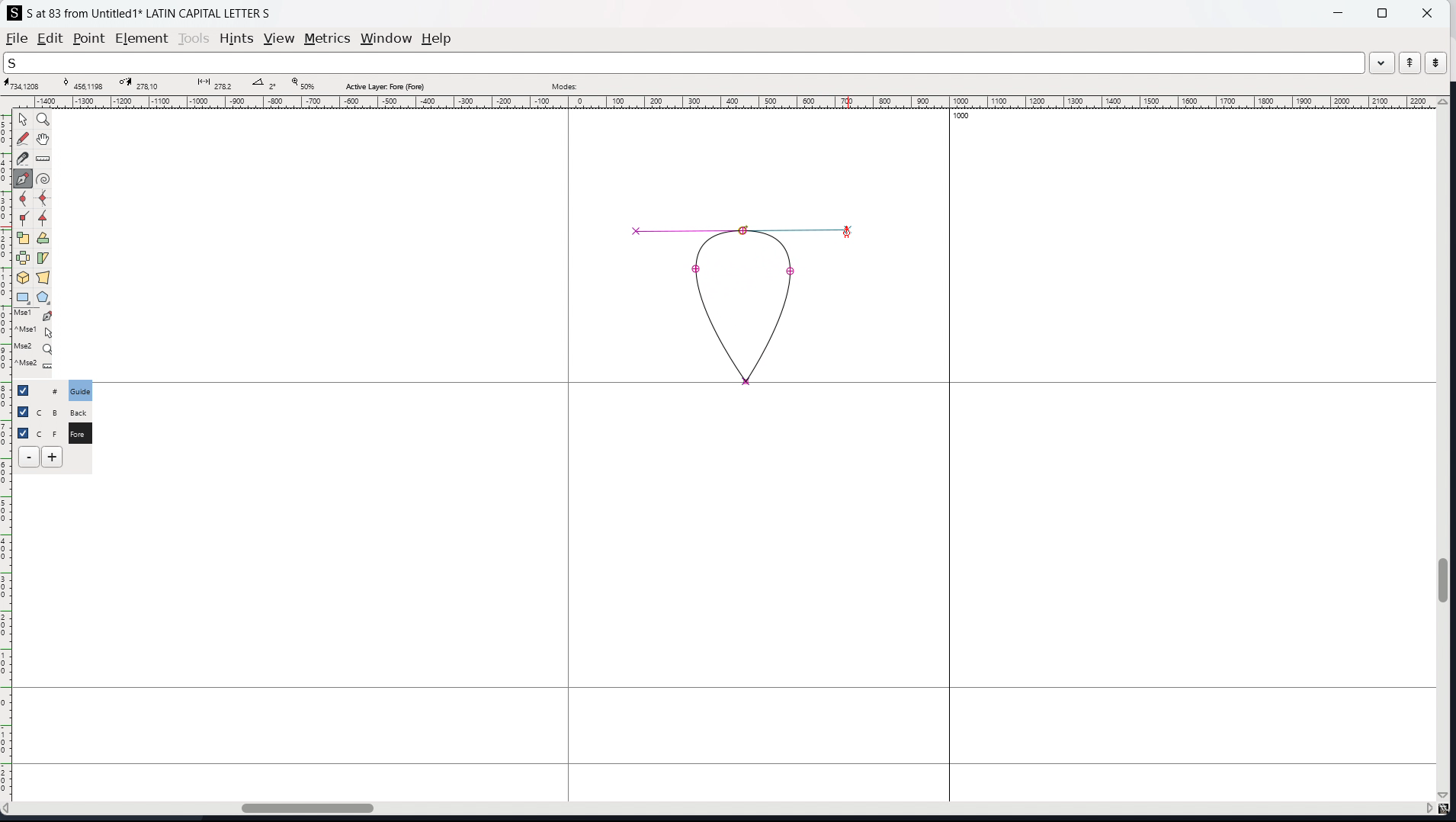 The height and width of the screenshot is (822, 1456). What do you see at coordinates (848, 231) in the screenshot?
I see `Cursor` at bounding box center [848, 231].